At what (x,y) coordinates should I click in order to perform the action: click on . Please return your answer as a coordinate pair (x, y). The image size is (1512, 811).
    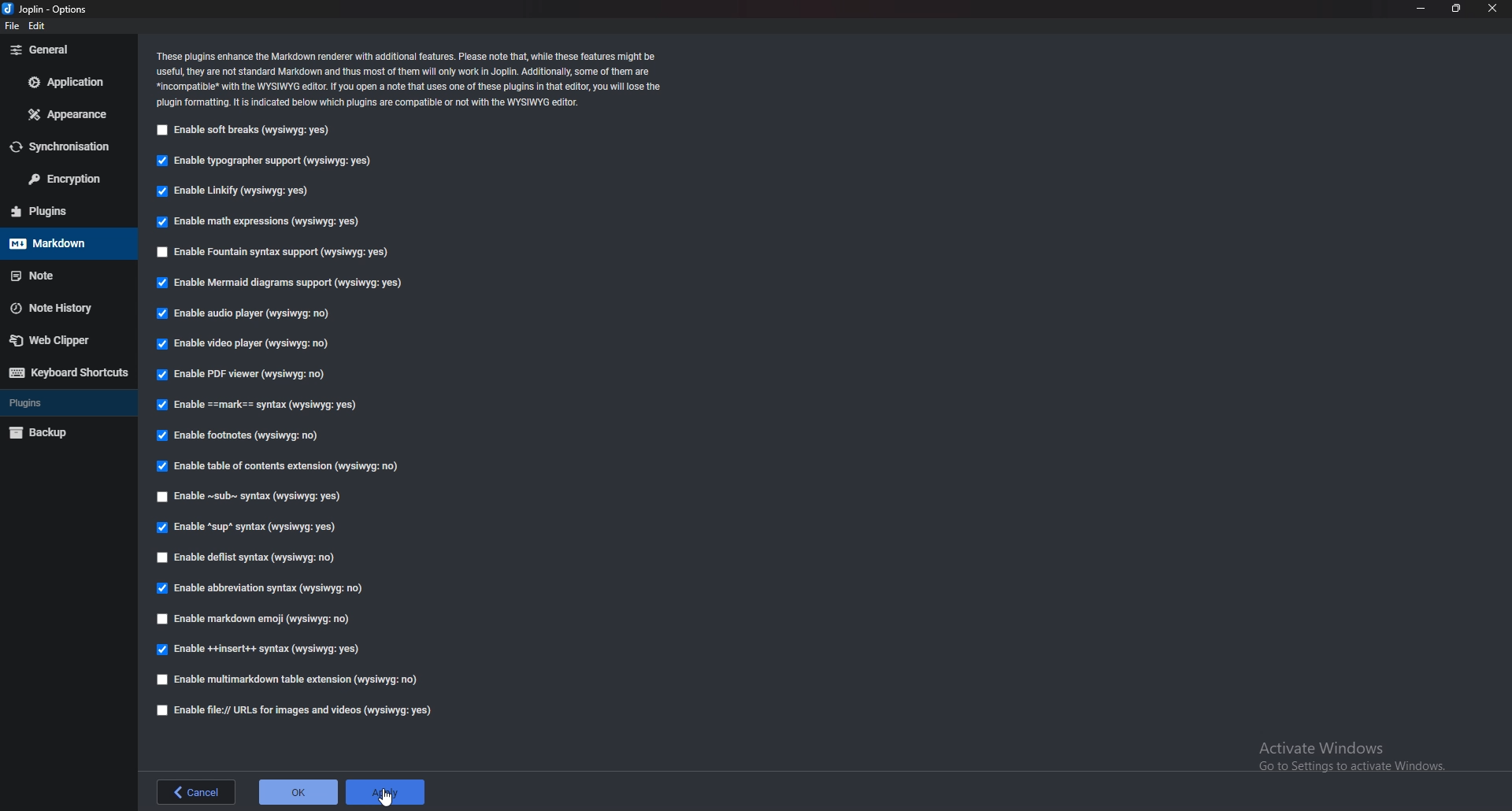
    Looking at the image, I should click on (244, 313).